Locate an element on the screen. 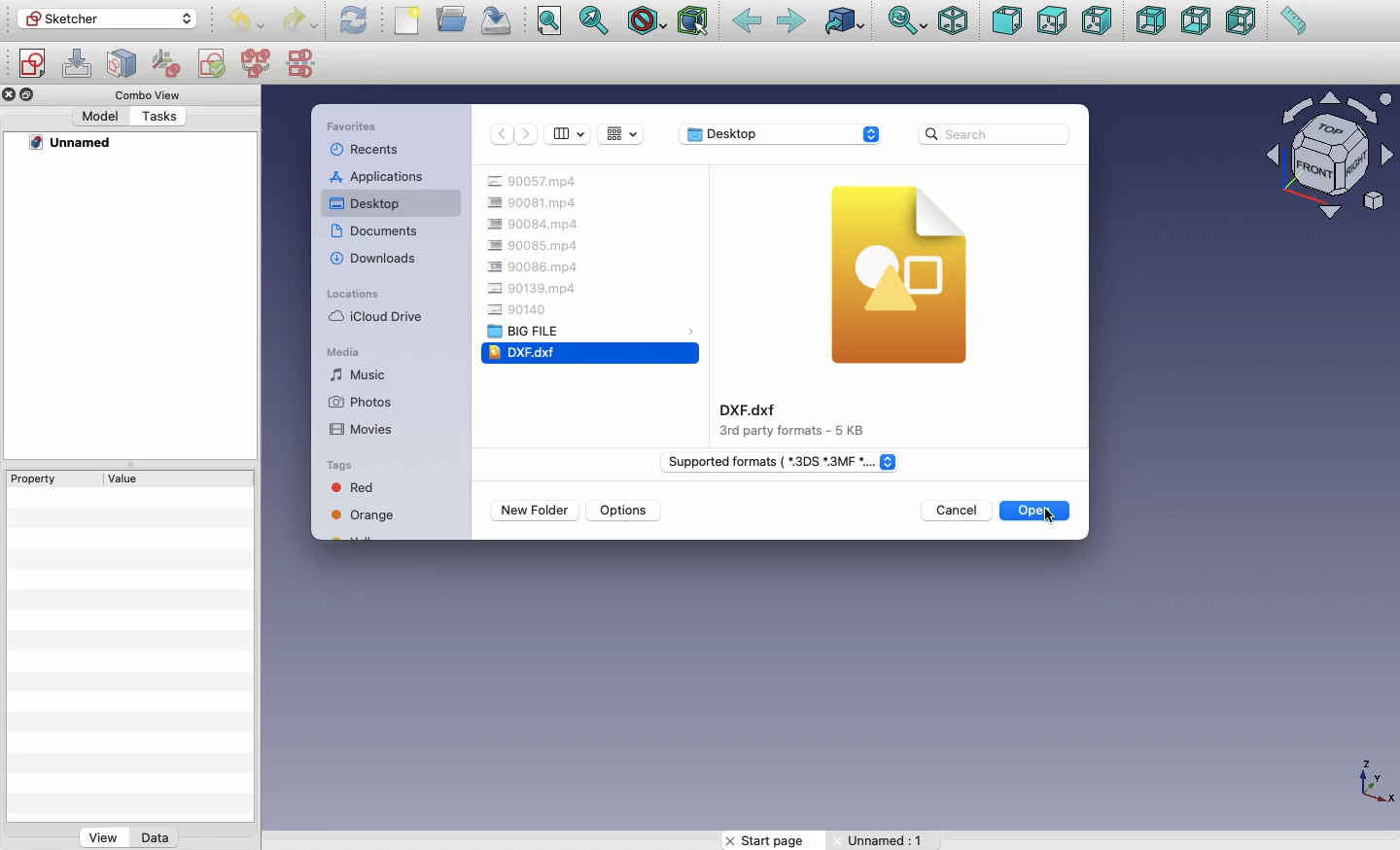 The height and width of the screenshot is (850, 1400). Right is located at coordinates (1099, 22).